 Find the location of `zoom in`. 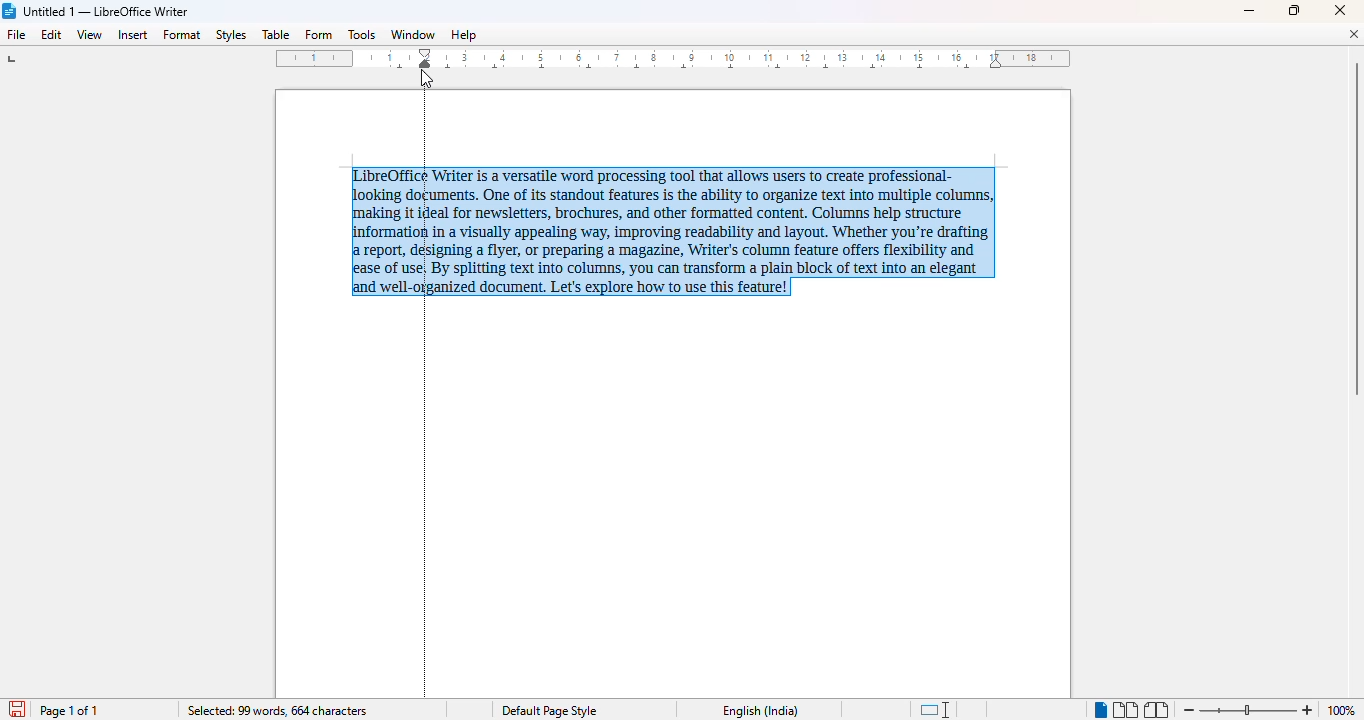

zoom in is located at coordinates (1309, 710).